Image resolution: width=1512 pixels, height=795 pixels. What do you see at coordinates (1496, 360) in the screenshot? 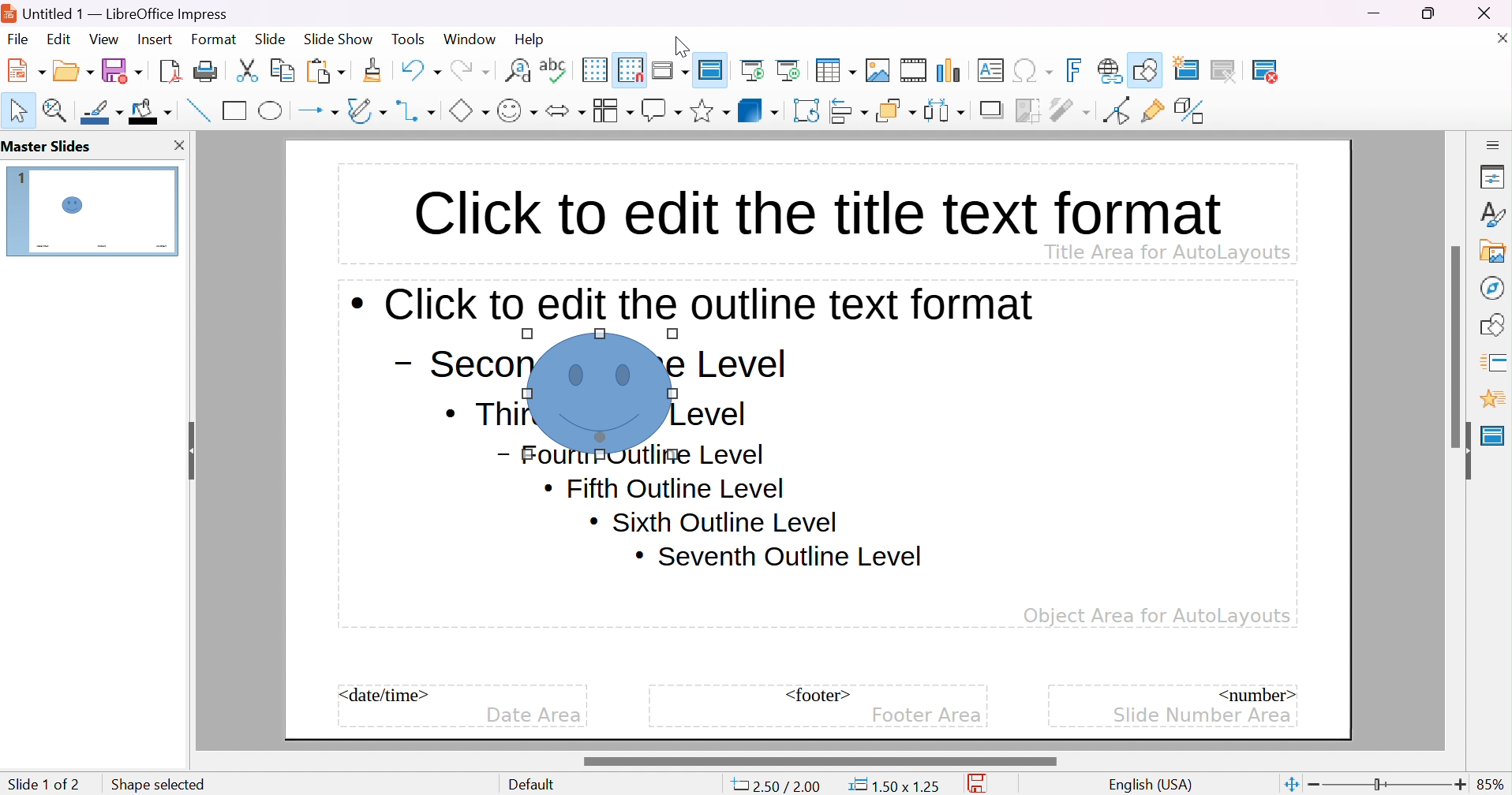
I see `slide transition` at bounding box center [1496, 360].